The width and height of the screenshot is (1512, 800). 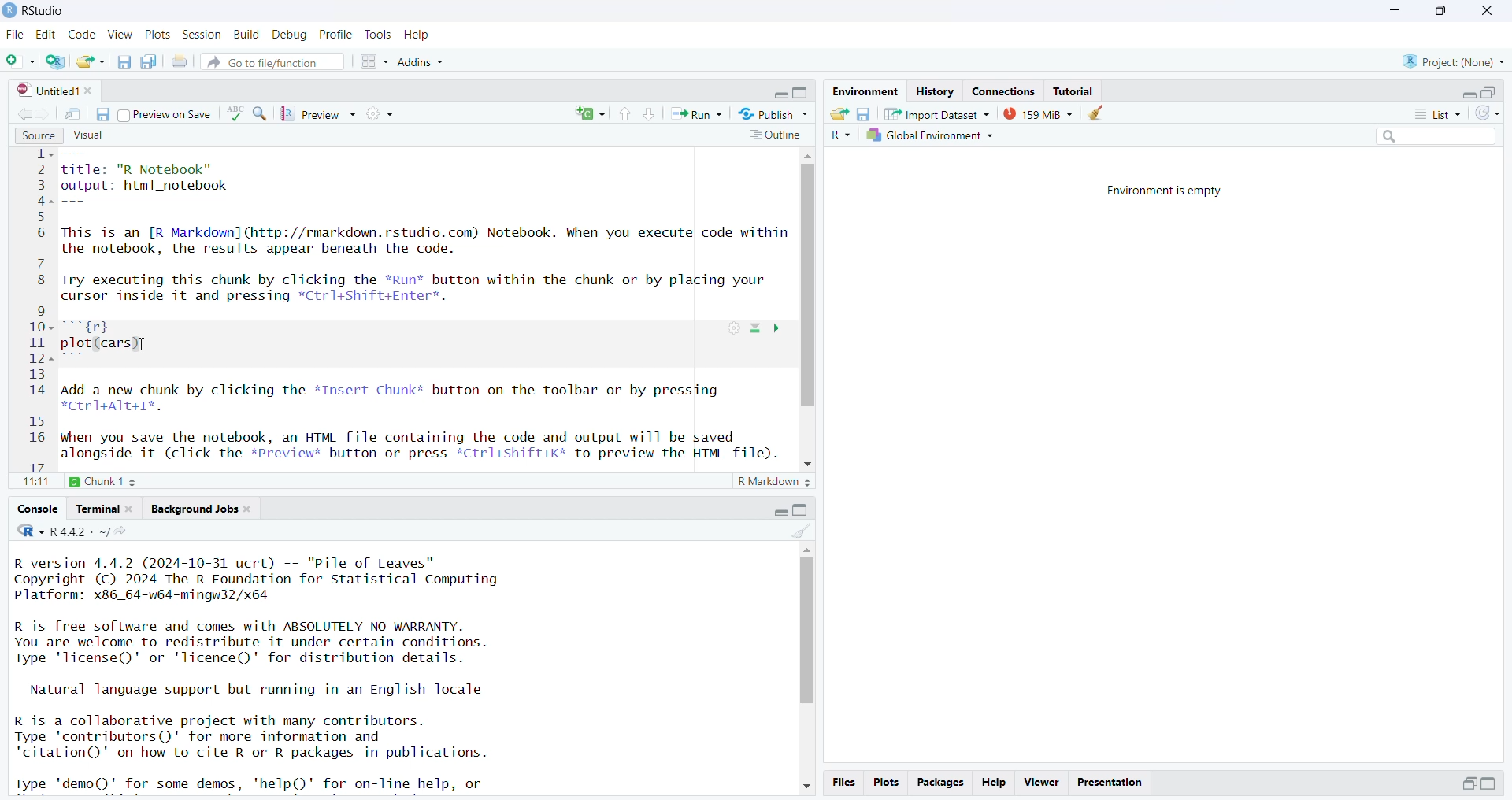 I want to click on Import dataset, so click(x=936, y=113).